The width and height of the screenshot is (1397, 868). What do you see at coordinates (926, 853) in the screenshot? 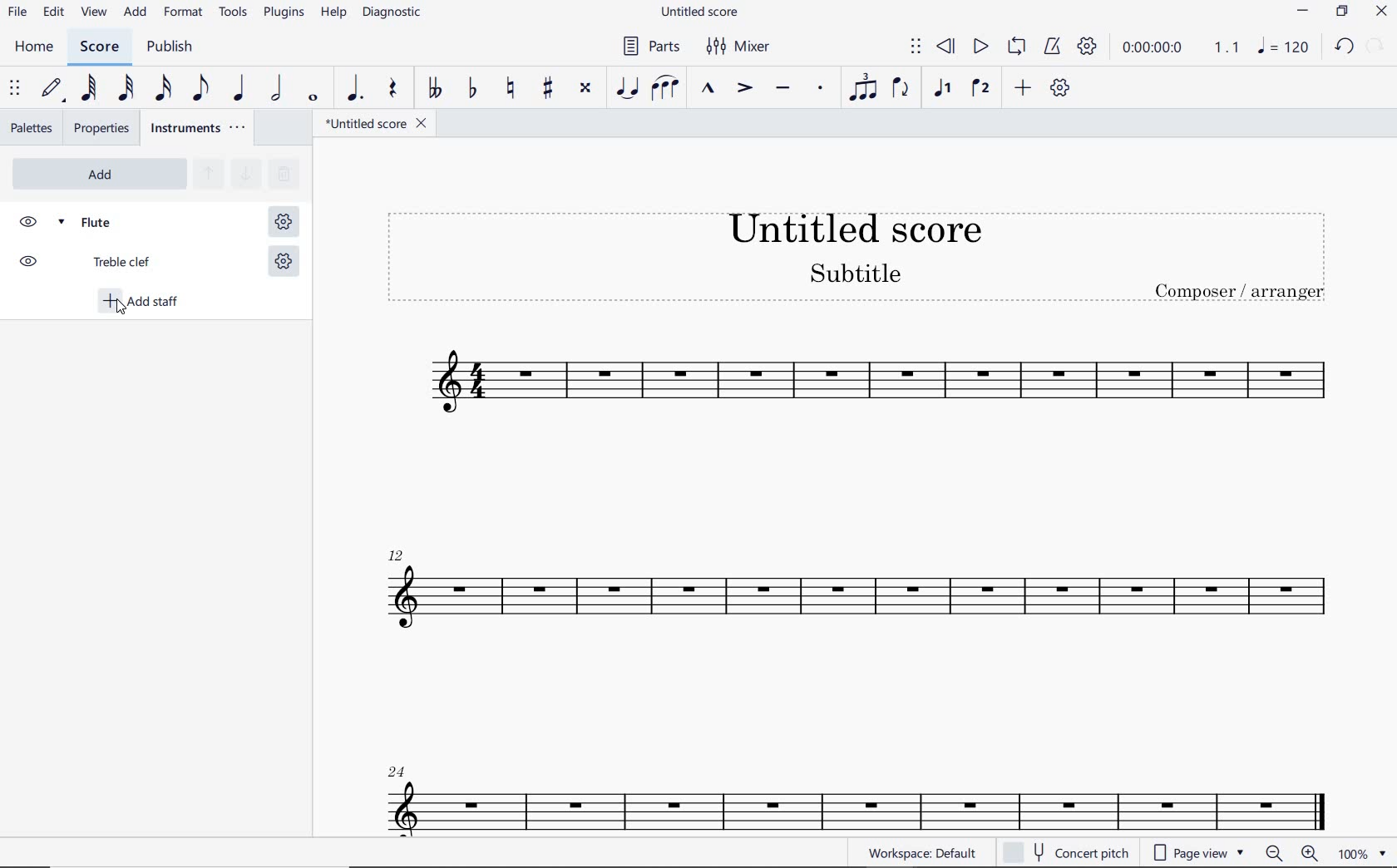
I see `WORKSPACE: DEFAULT` at bounding box center [926, 853].